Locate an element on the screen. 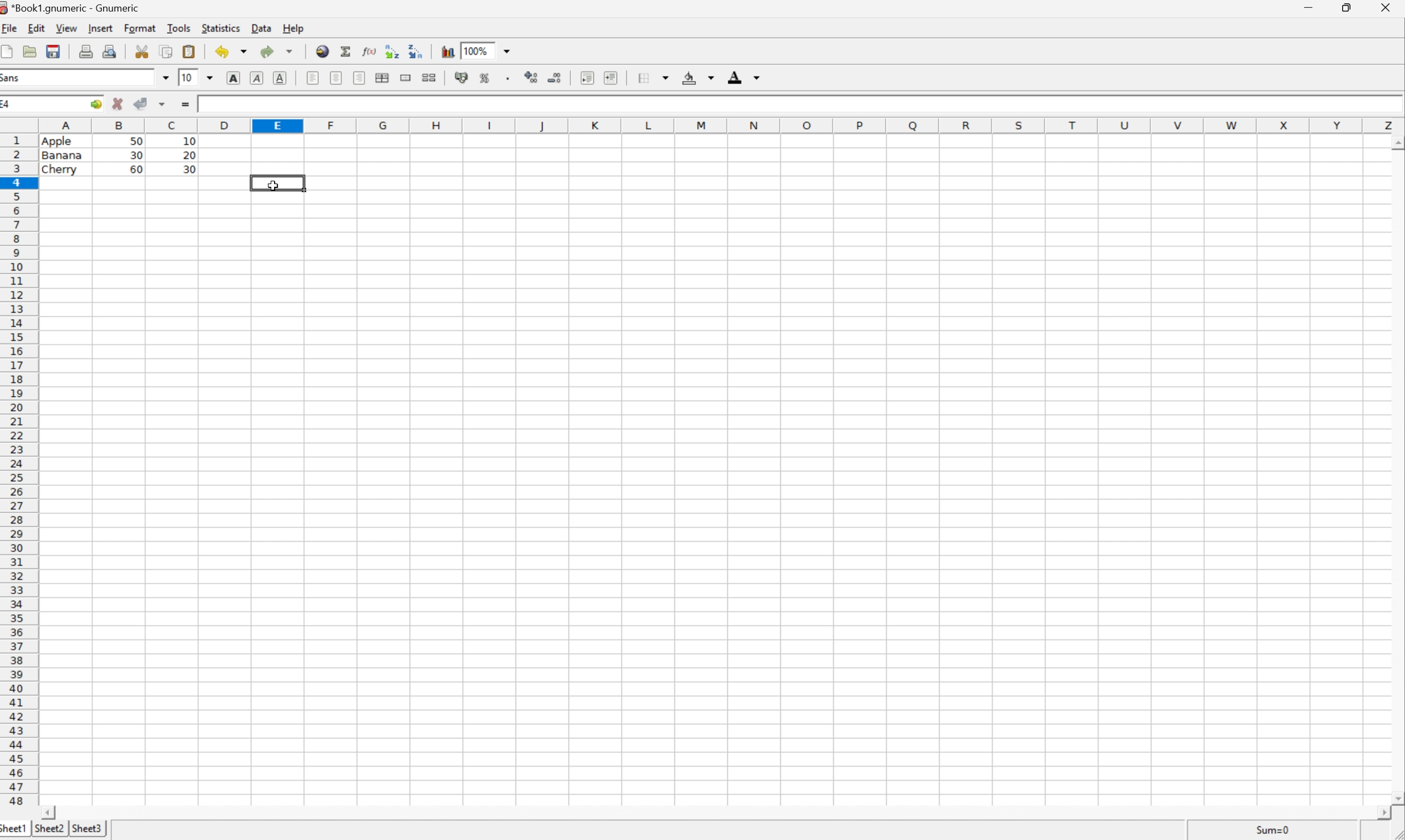 The image size is (1405, 840). scroll up is located at coordinates (1396, 142).